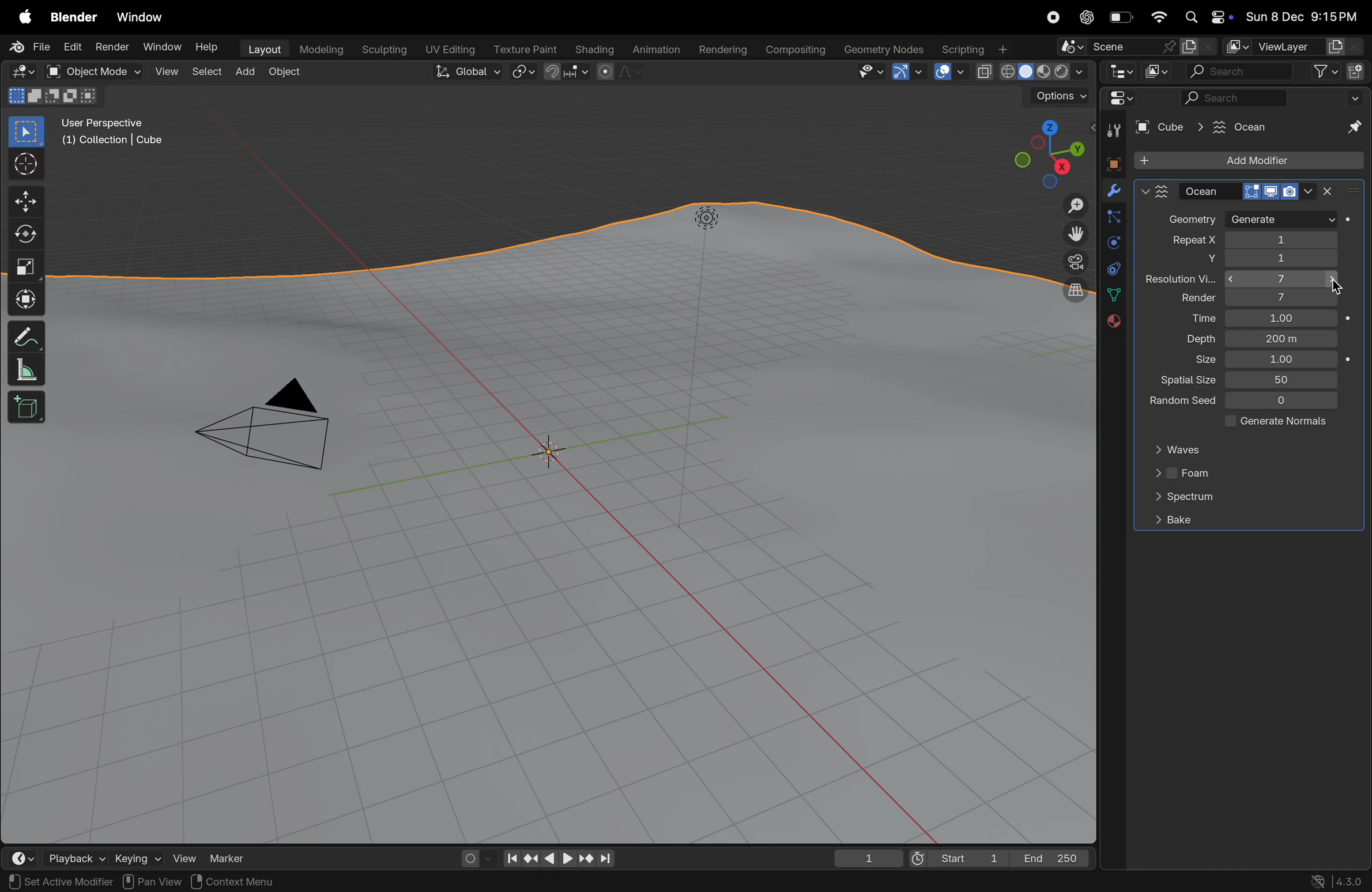 The width and height of the screenshot is (1372, 892). I want to click on physics, so click(1113, 243).